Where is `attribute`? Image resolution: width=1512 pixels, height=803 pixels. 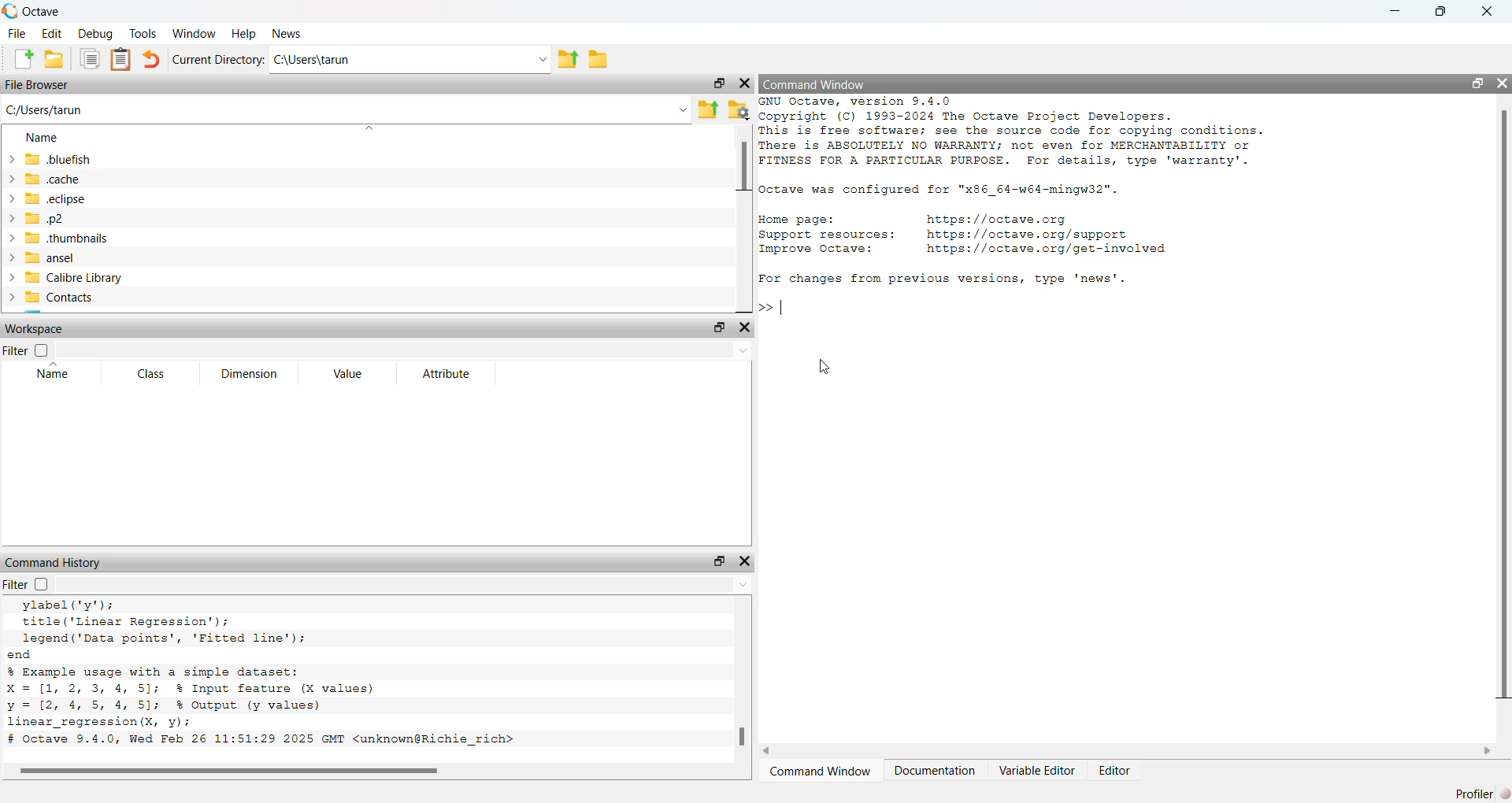
attribute is located at coordinates (446, 373).